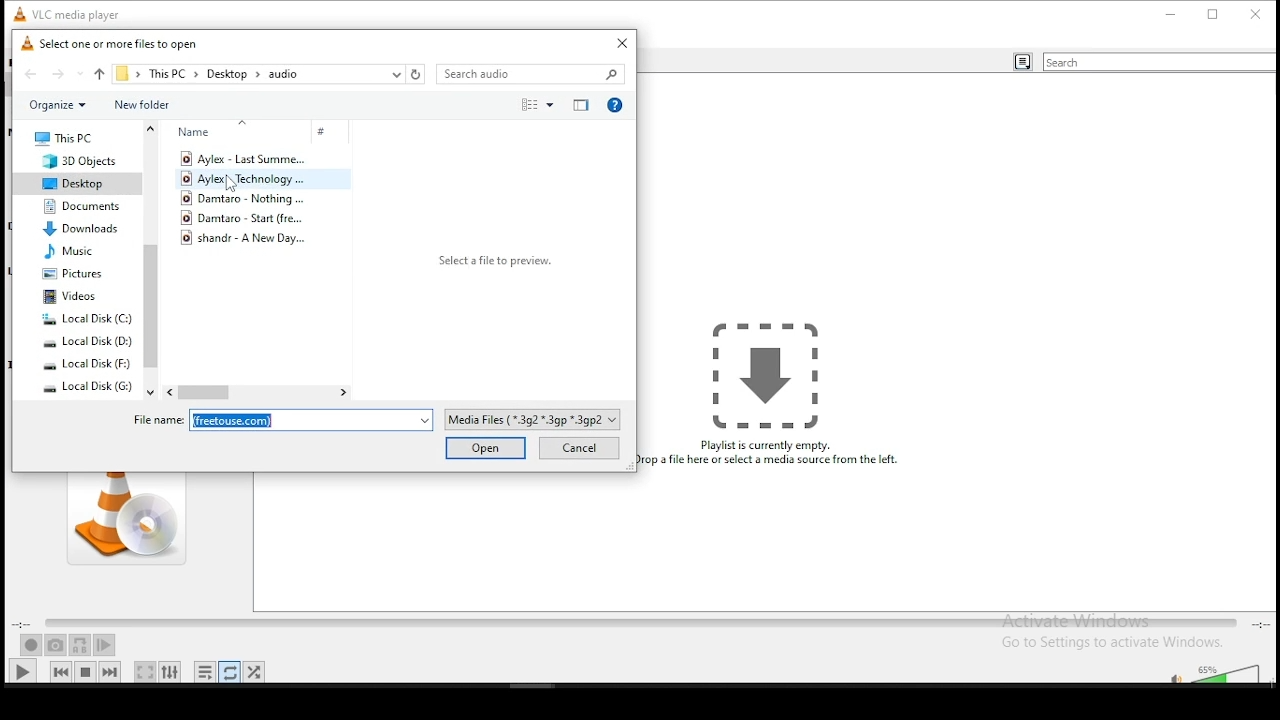  What do you see at coordinates (81, 646) in the screenshot?
I see `loop between point A to point B continuously` at bounding box center [81, 646].